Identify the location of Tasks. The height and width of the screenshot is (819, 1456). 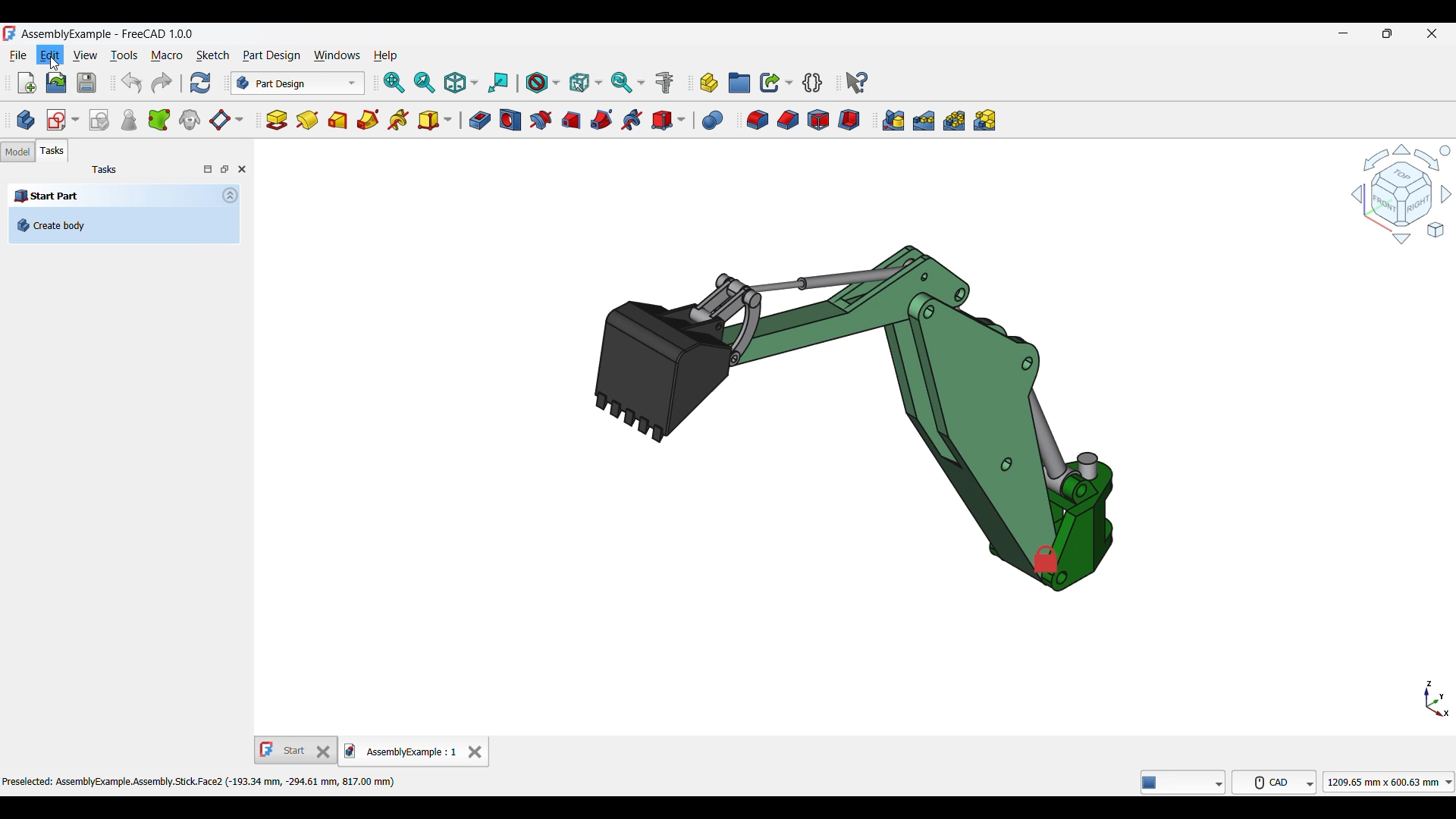
(52, 151).